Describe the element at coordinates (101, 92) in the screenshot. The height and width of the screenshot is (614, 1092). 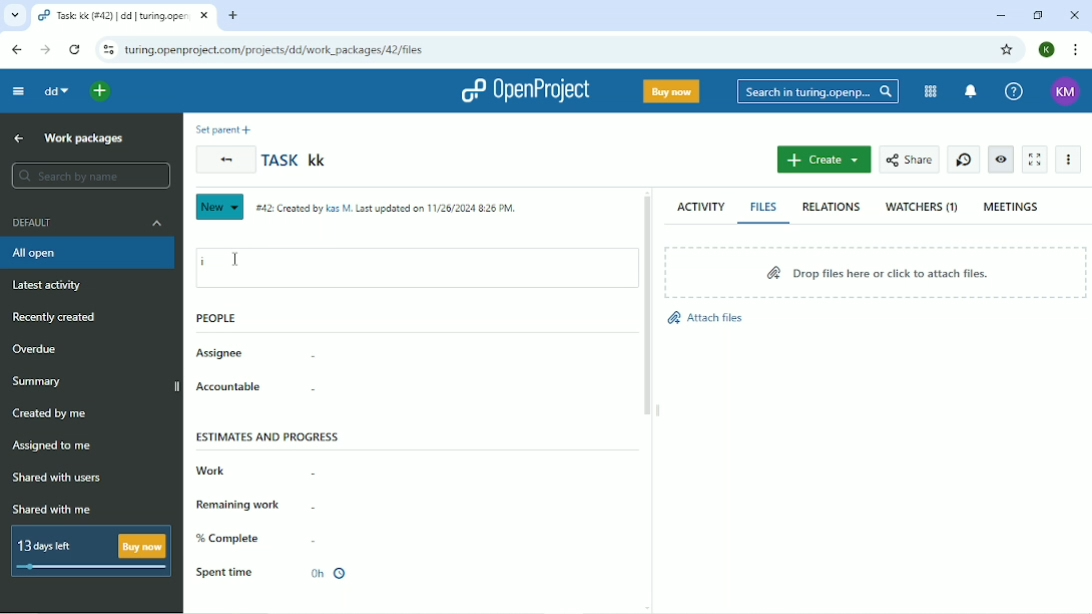
I see `Open quick add menu` at that location.